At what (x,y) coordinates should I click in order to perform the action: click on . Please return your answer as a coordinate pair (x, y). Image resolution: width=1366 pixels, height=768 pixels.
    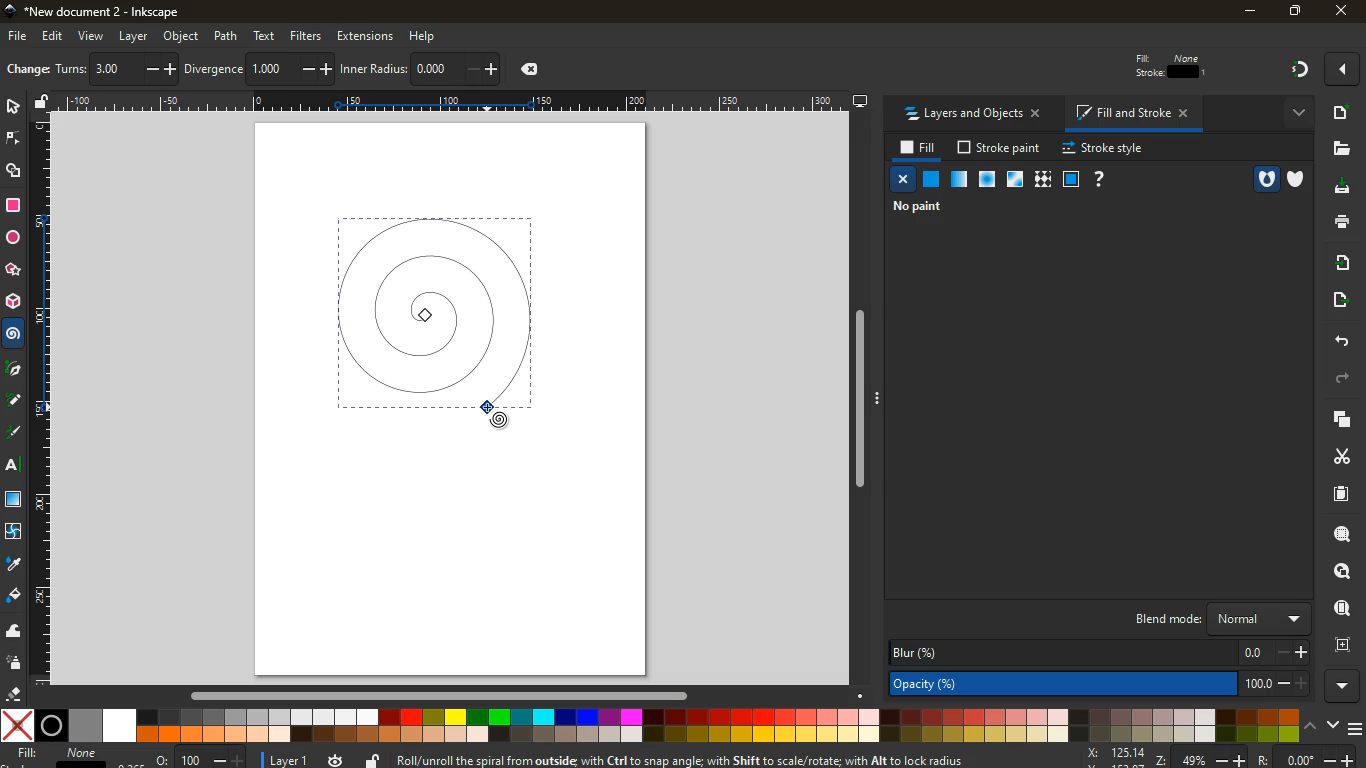
    Looking at the image, I should click on (17, 33).